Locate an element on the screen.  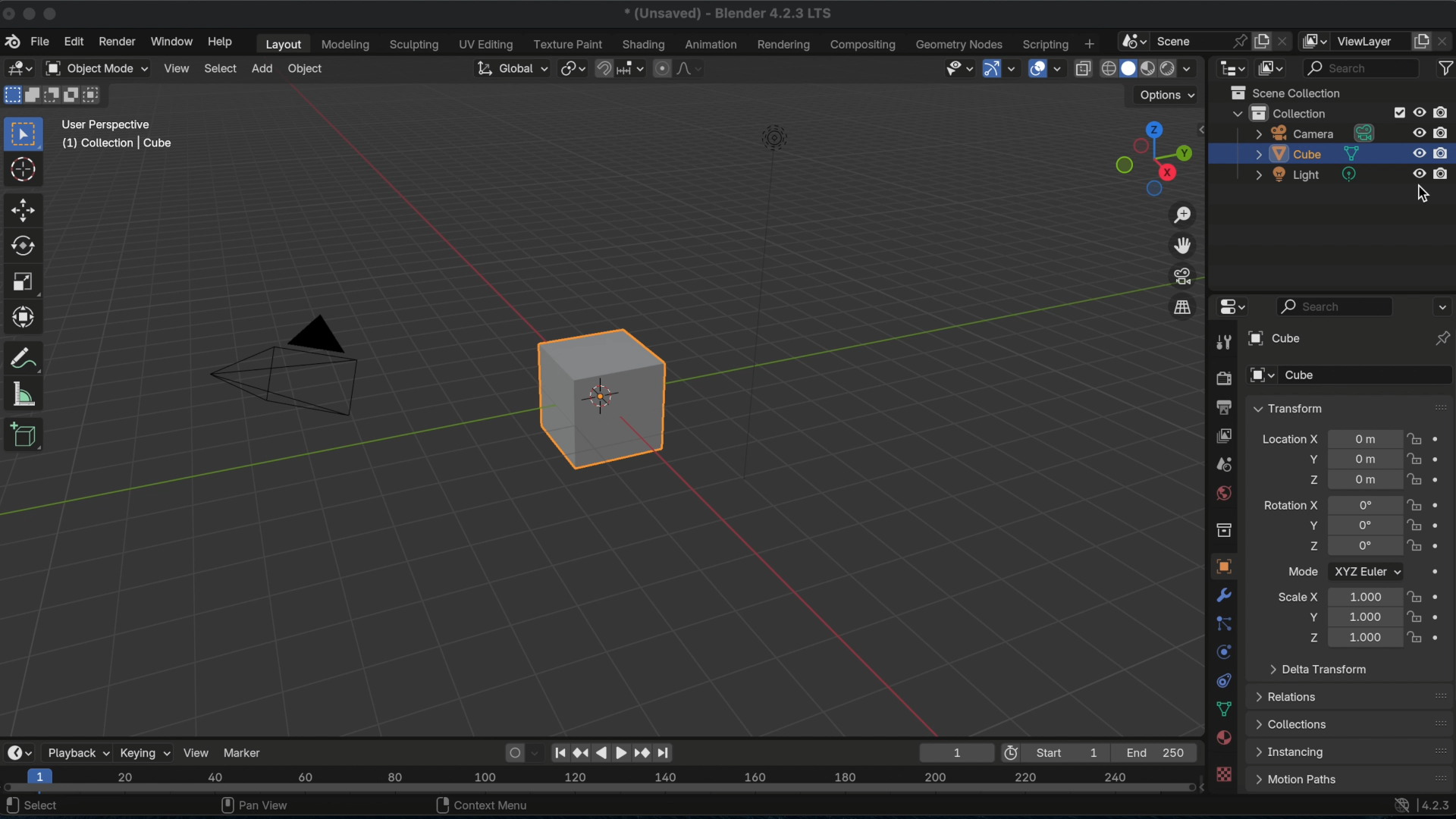
animate property is located at coordinates (1442, 543).